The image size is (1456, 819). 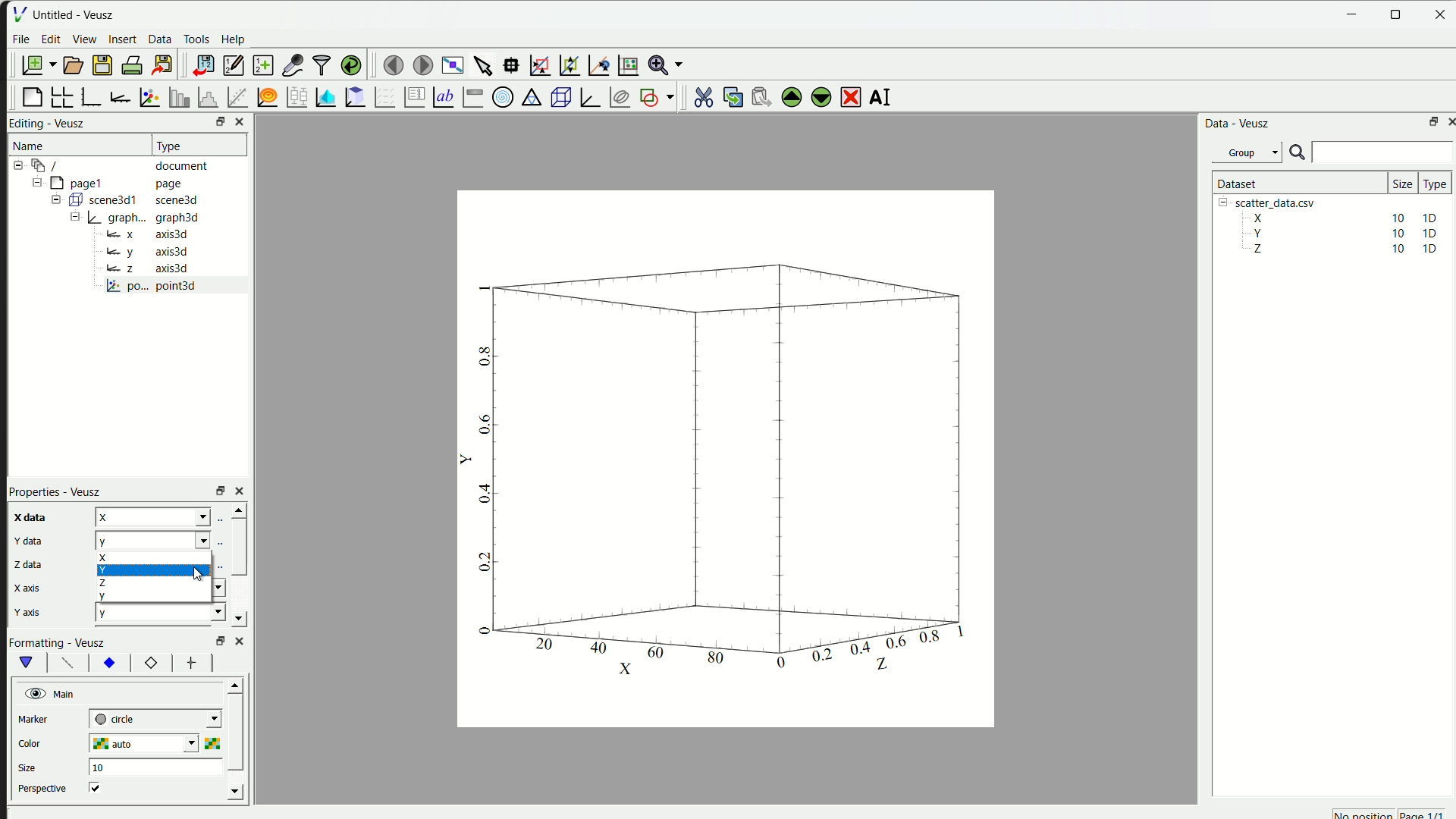 I want to click on save a document, so click(x=100, y=66).